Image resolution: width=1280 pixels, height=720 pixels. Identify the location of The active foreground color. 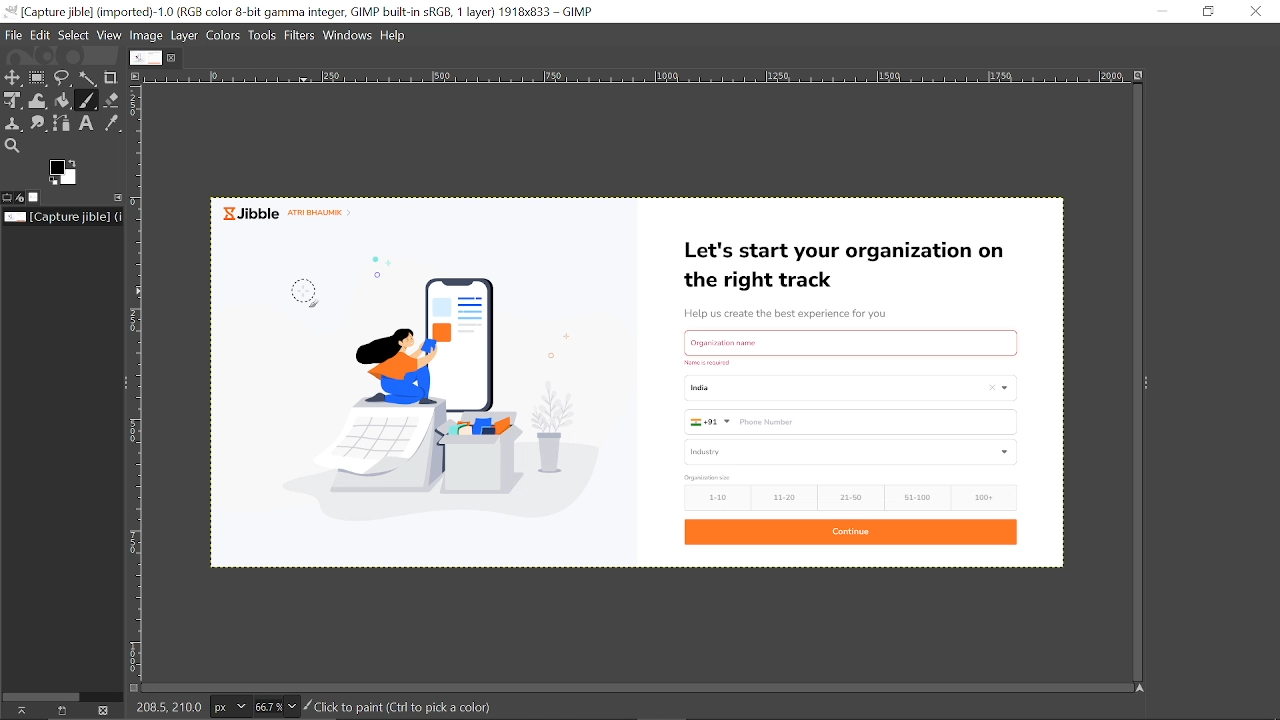
(63, 172).